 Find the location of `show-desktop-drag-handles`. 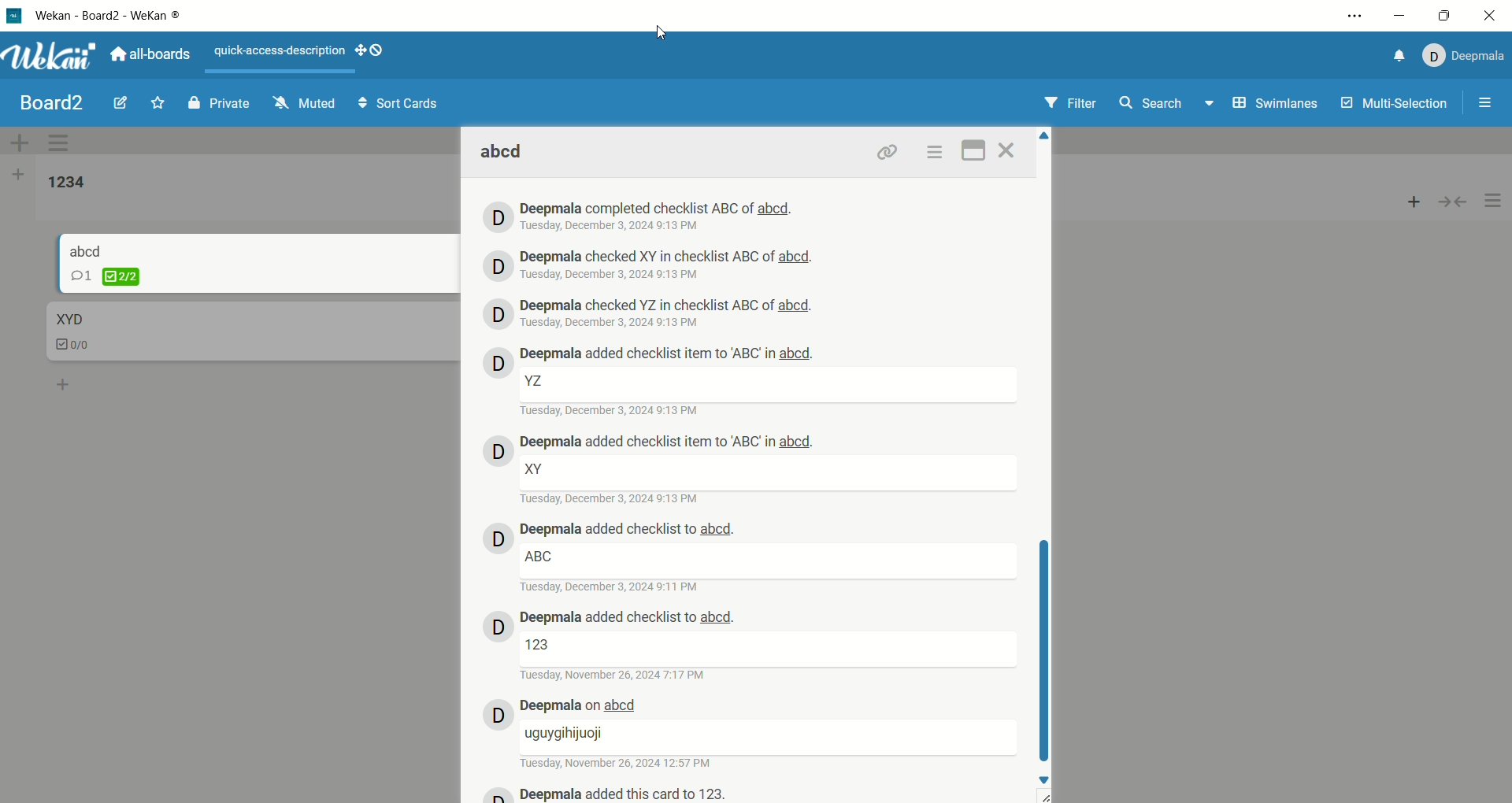

show-desktop-drag-handles is located at coordinates (372, 50).